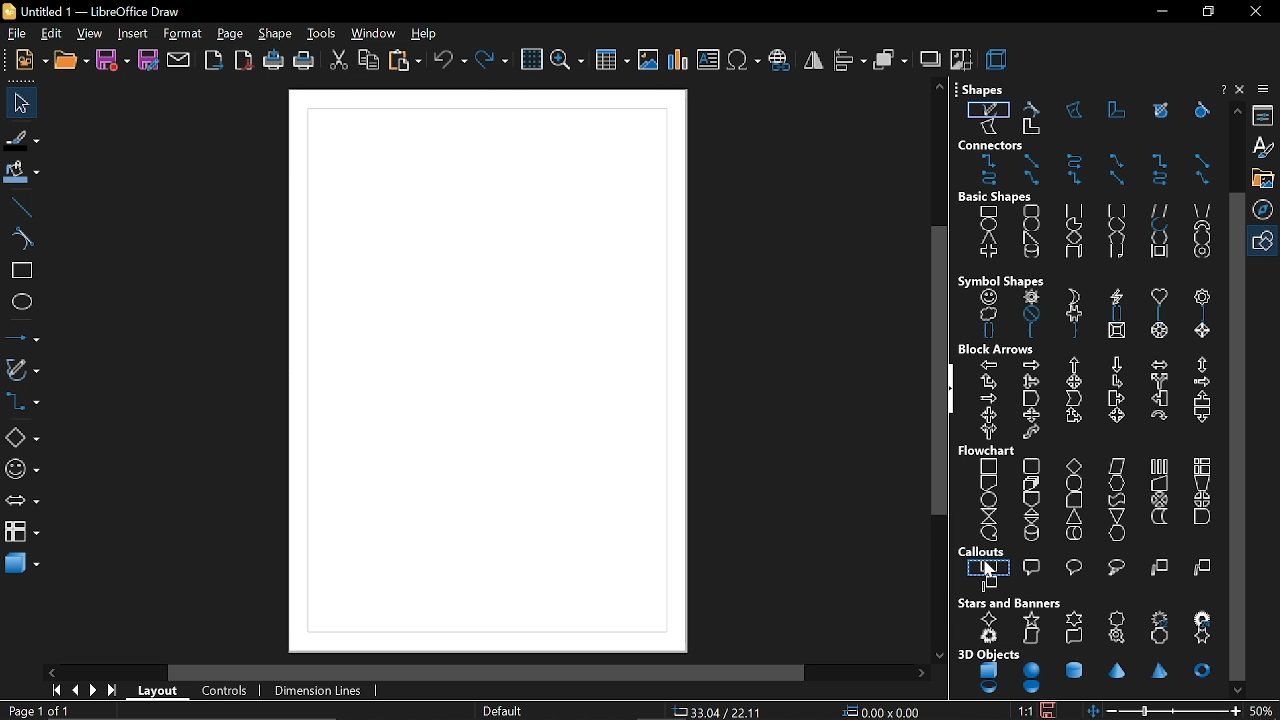 Image resolution: width=1280 pixels, height=720 pixels. What do you see at coordinates (1198, 111) in the screenshot?
I see `curve filled` at bounding box center [1198, 111].